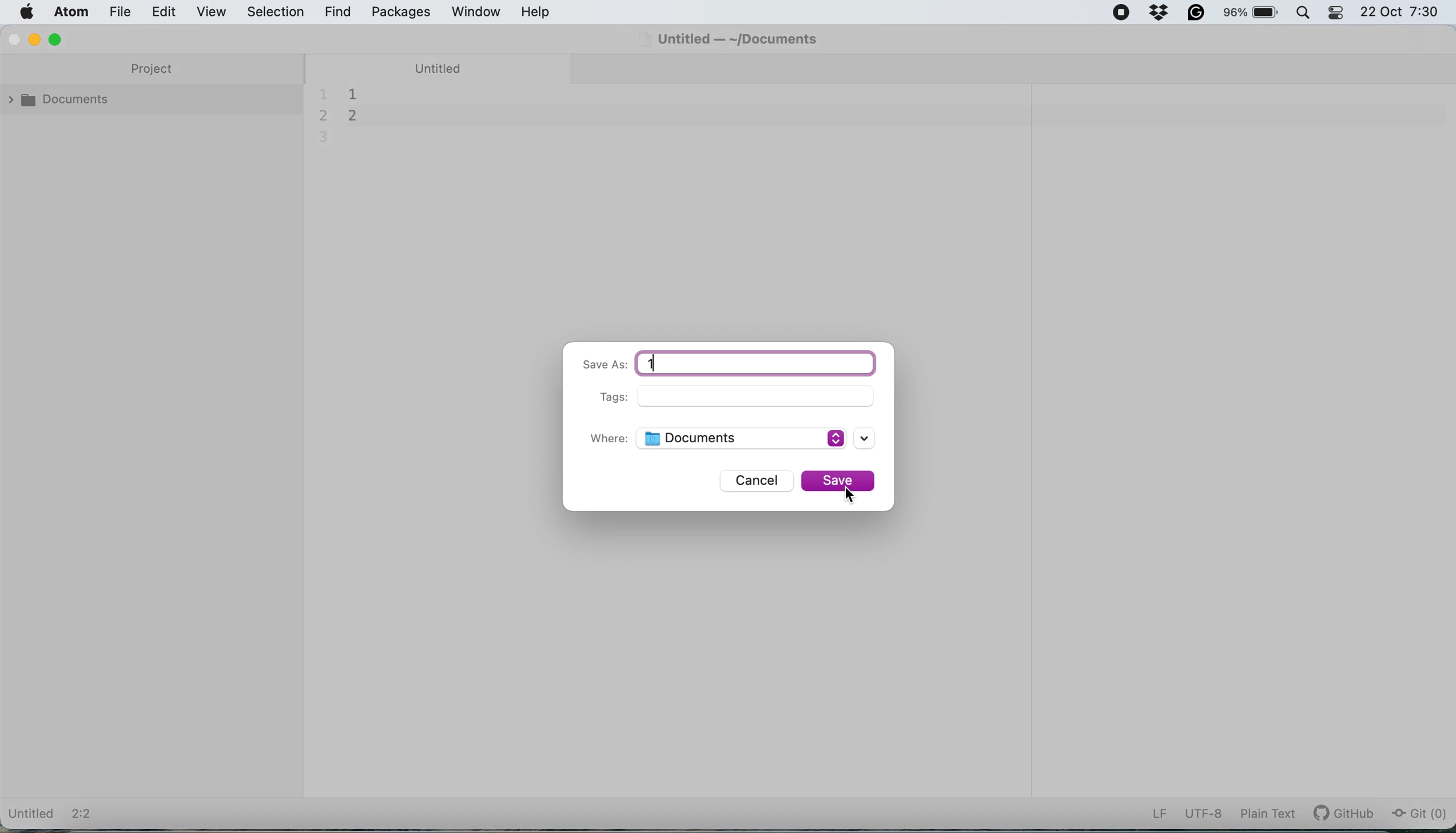  What do you see at coordinates (153, 70) in the screenshot?
I see `project` at bounding box center [153, 70].